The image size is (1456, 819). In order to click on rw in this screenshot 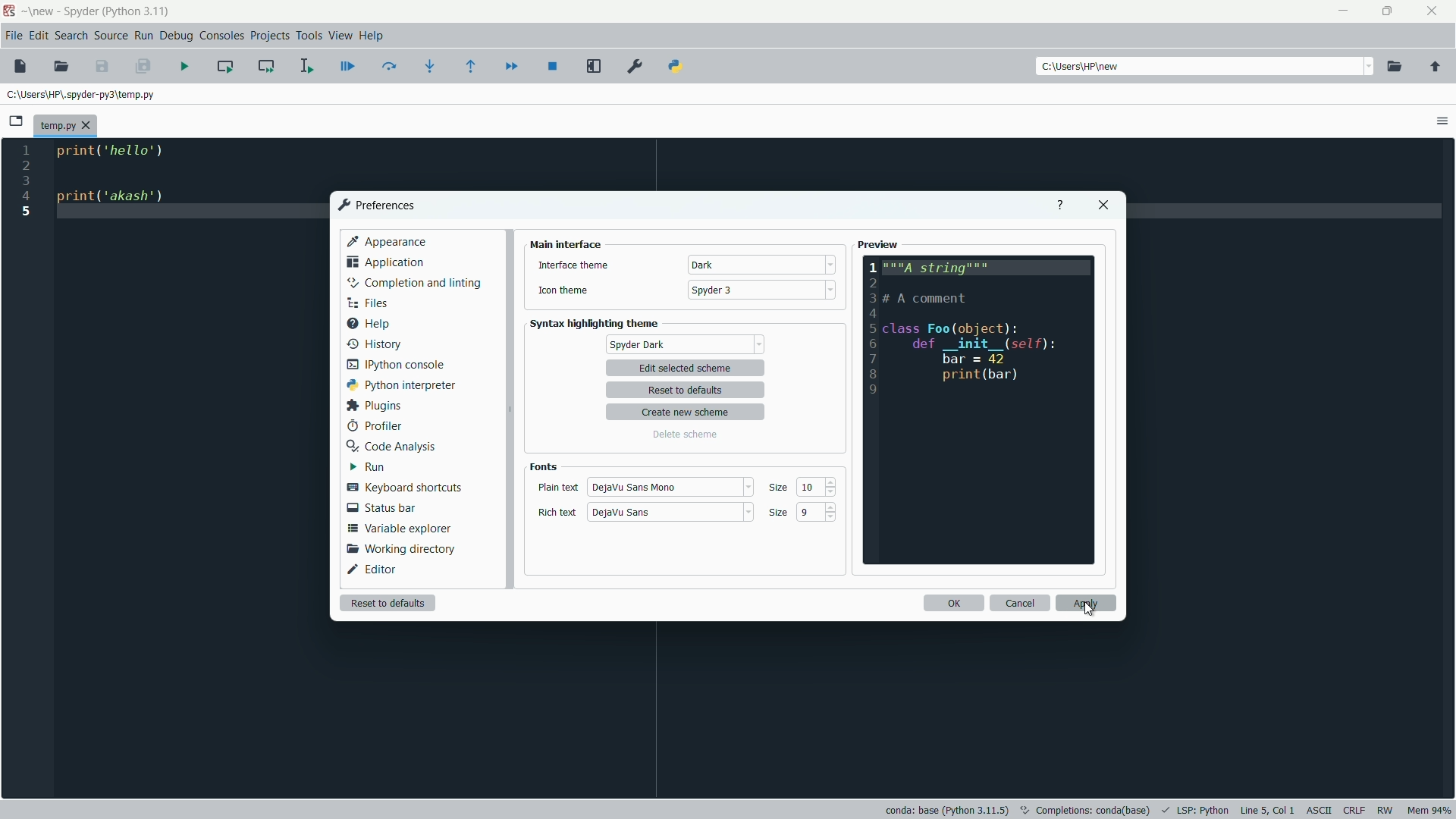, I will do `click(1387, 810)`.